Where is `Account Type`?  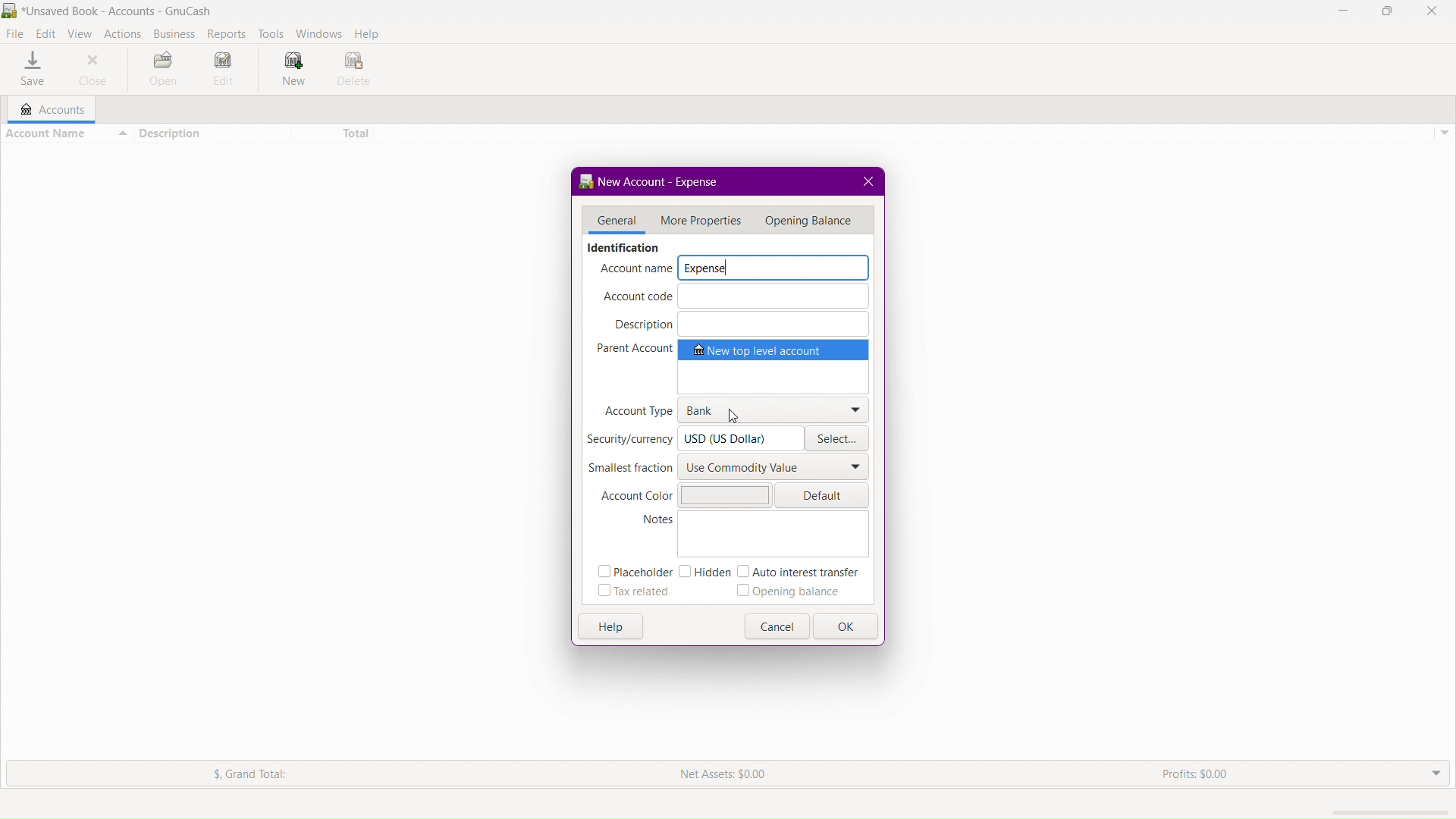 Account Type is located at coordinates (735, 409).